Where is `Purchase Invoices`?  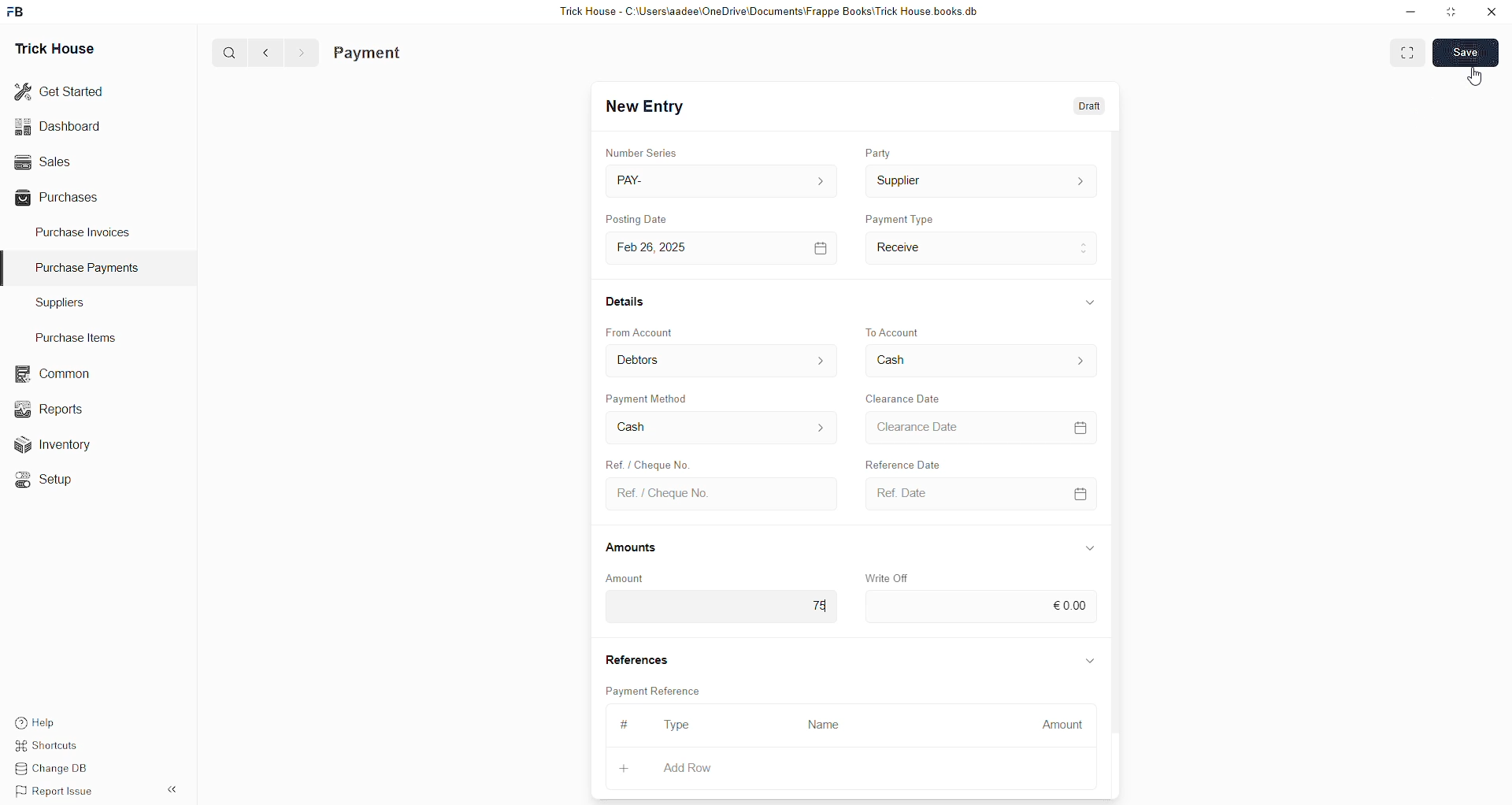 Purchase Invoices is located at coordinates (81, 235).